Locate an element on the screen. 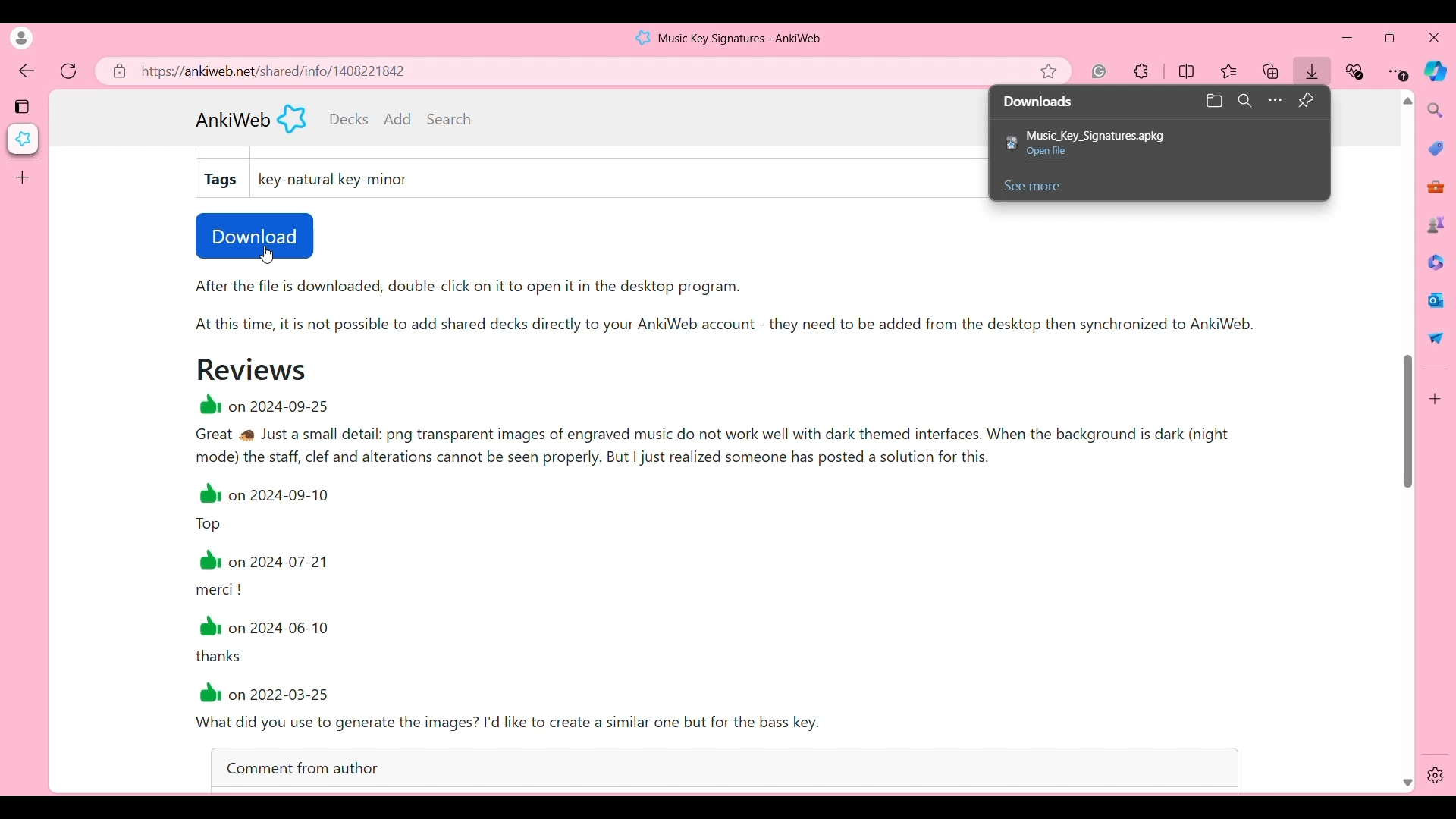 This screenshot has height=819, width=1456. Favorites is located at coordinates (1228, 71).